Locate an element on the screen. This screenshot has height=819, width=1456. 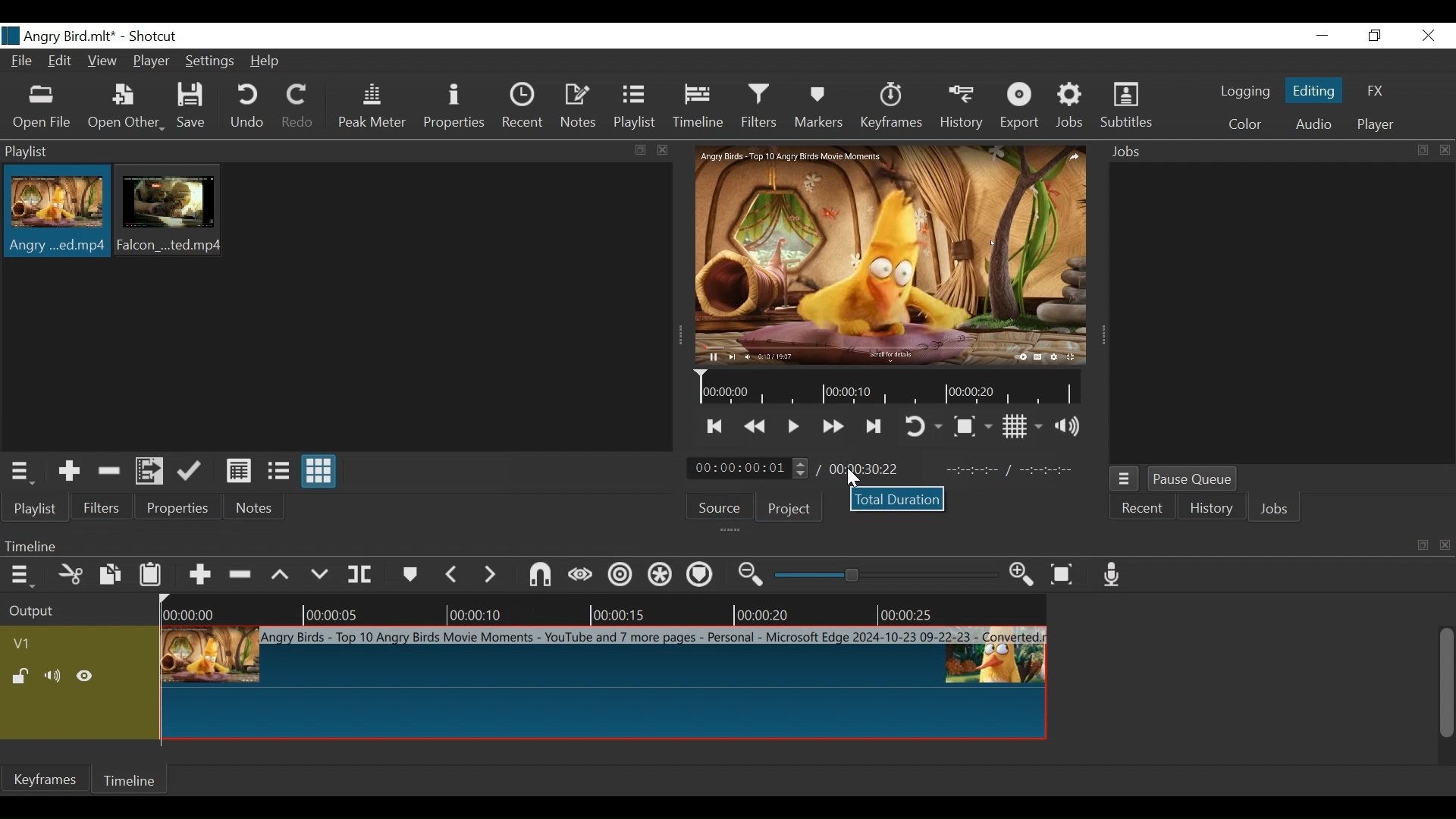
Add the Source to the laylist is located at coordinates (70, 472).